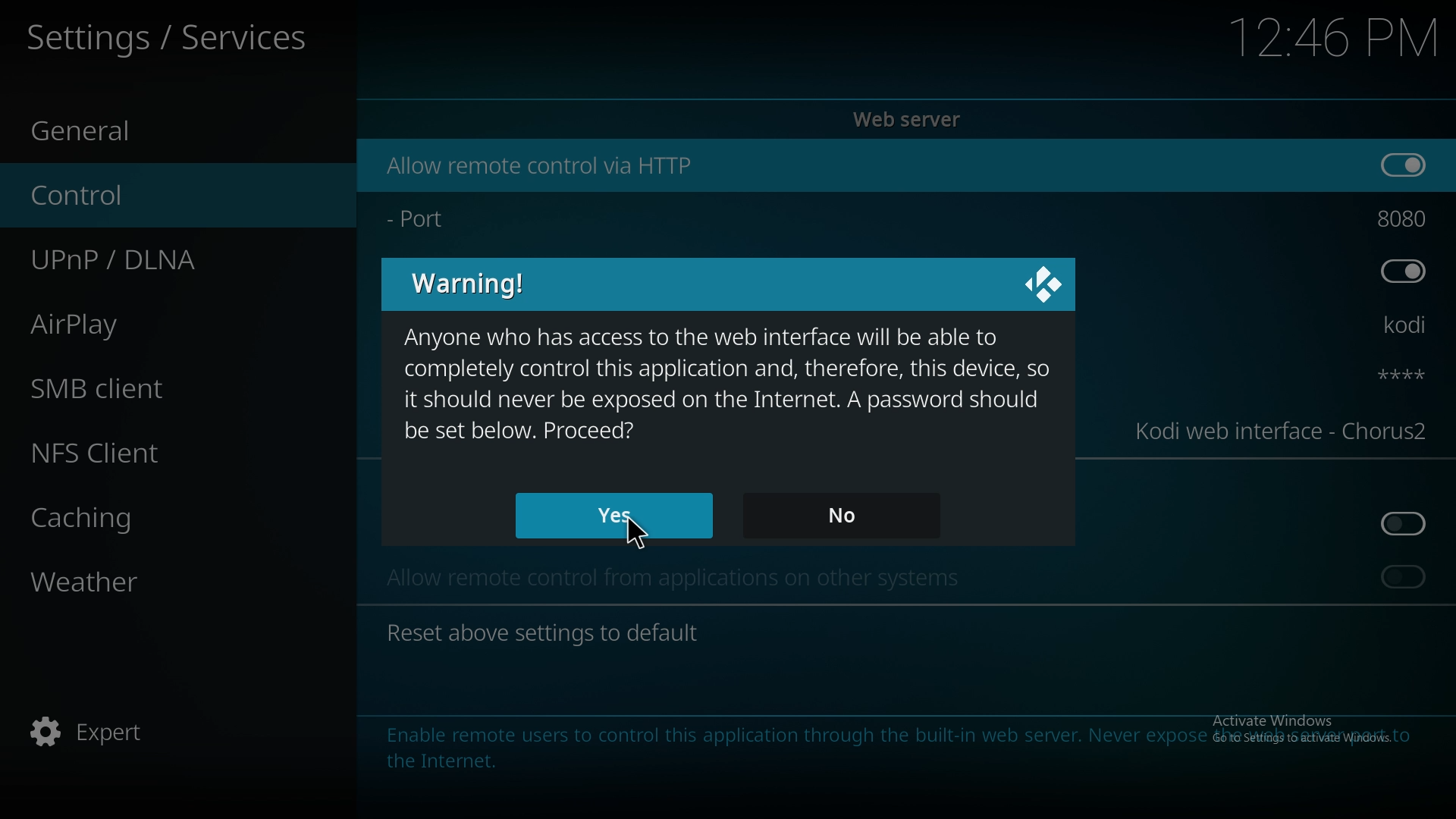  I want to click on yes, so click(617, 516).